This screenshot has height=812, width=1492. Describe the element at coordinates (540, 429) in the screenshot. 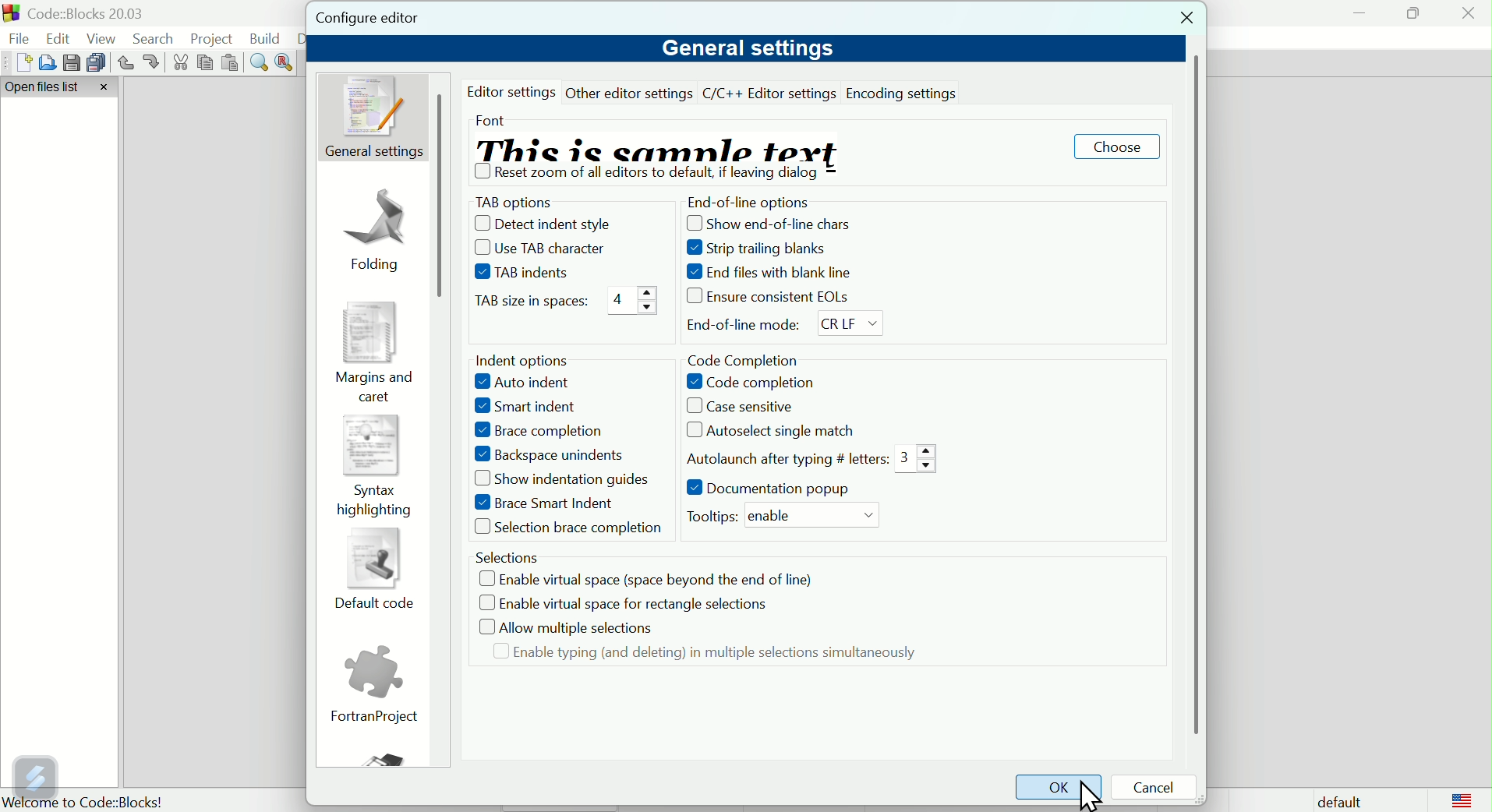

I see `Brace completion` at that location.